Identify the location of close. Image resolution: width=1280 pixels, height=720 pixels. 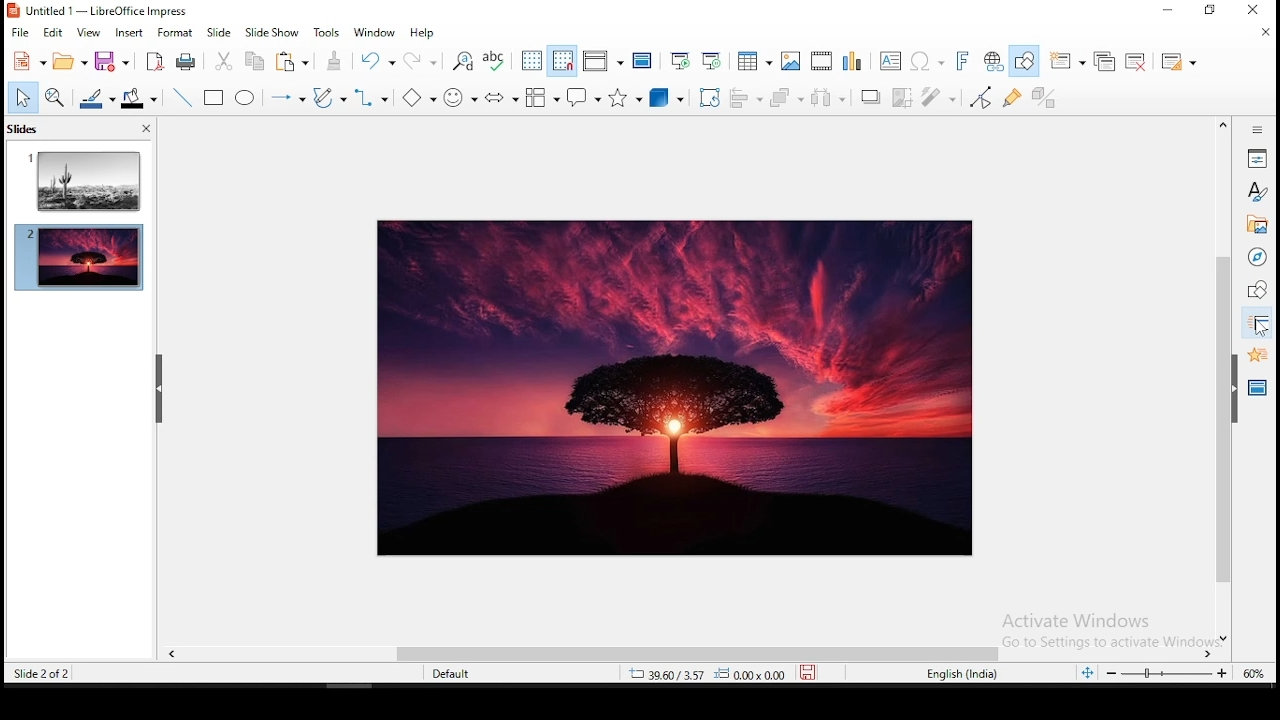
(1262, 32).